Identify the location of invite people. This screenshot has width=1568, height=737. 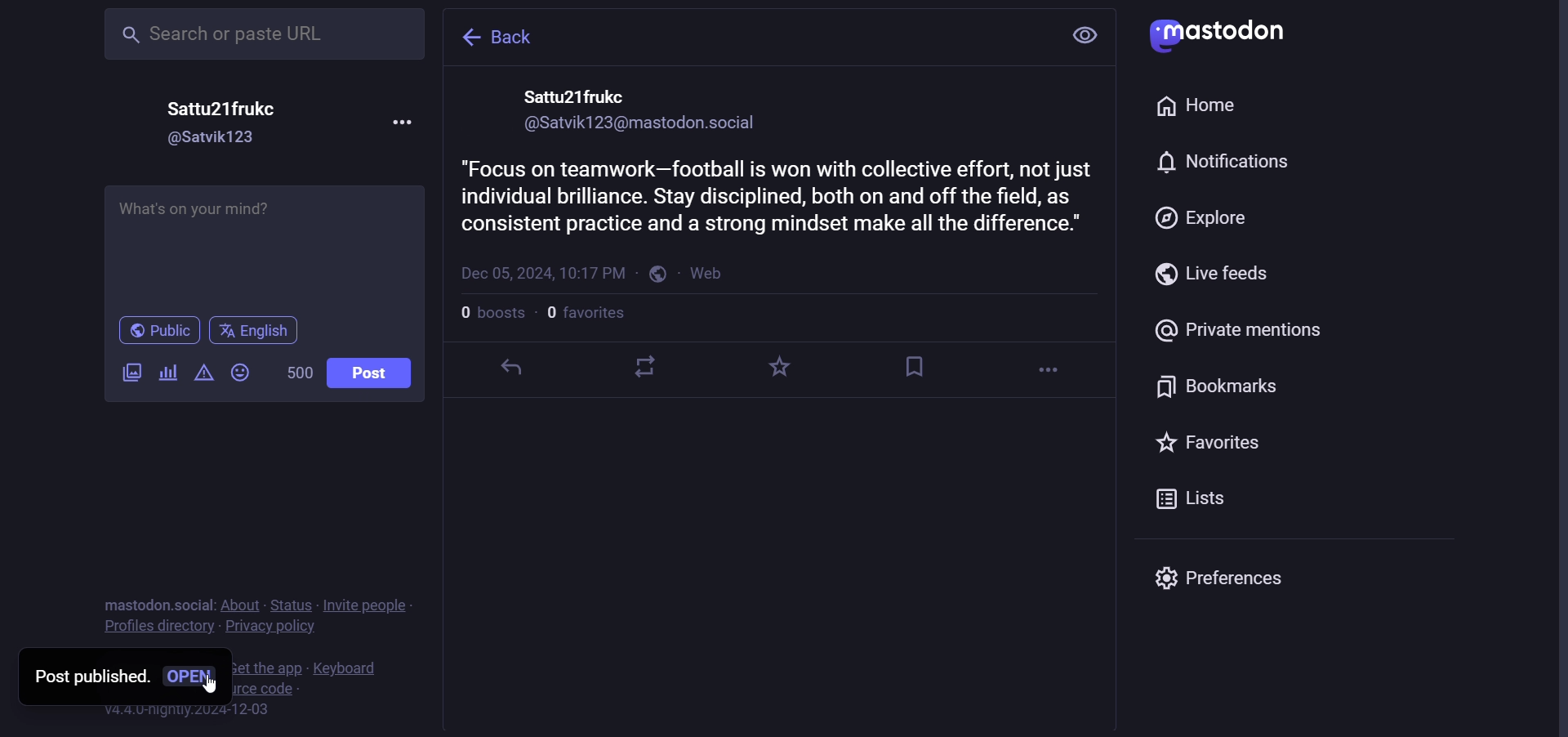
(370, 604).